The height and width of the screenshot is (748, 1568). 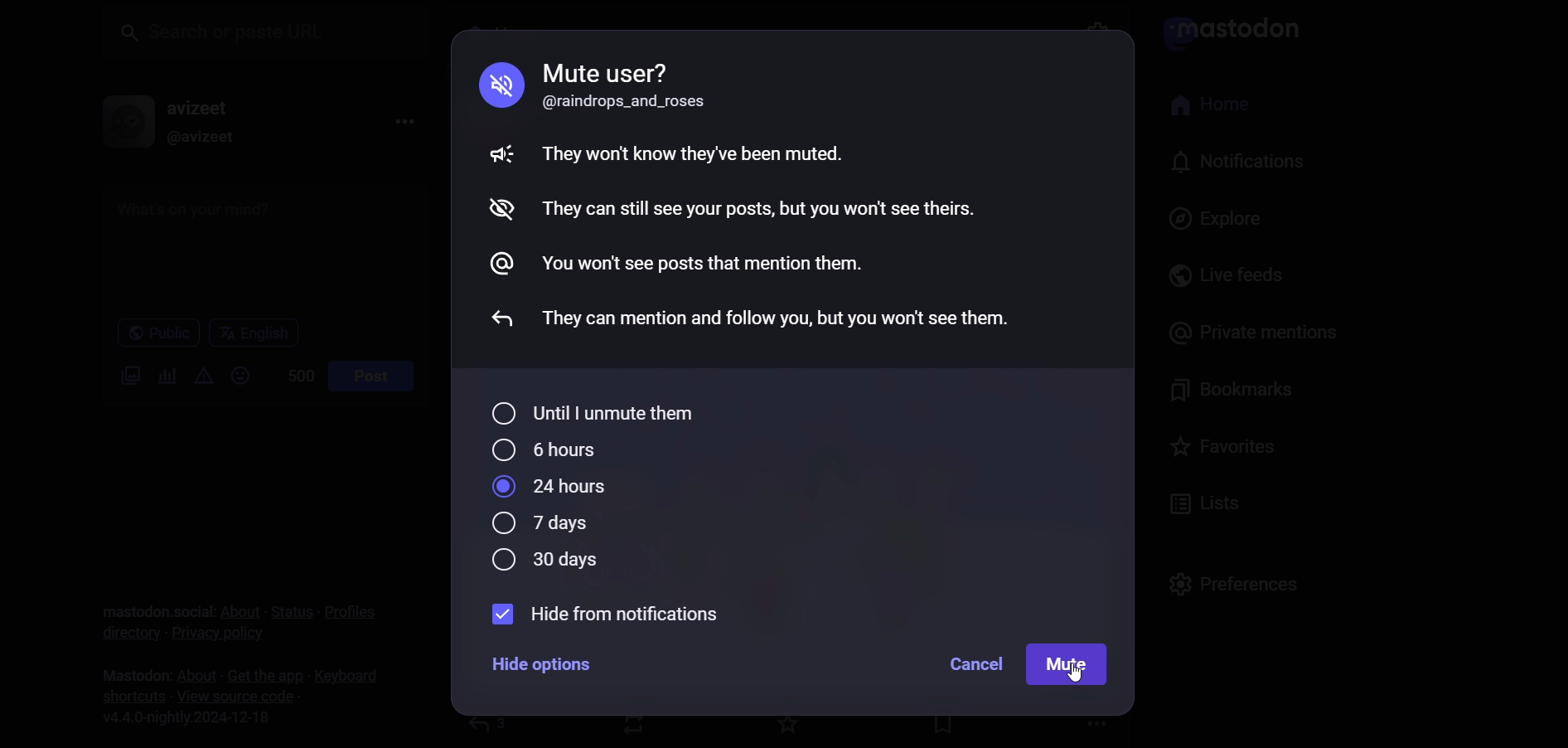 I want to click on 24 hours selected, so click(x=554, y=488).